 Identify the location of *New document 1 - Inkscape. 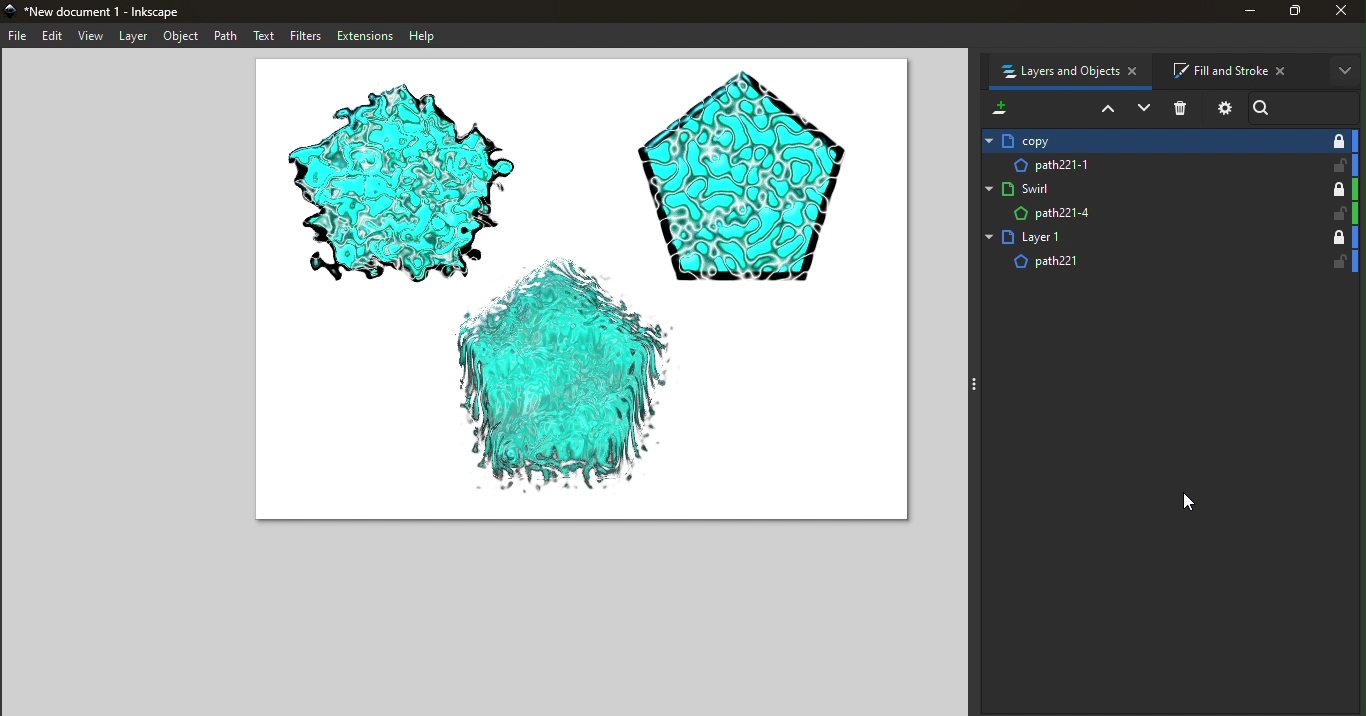
(125, 12).